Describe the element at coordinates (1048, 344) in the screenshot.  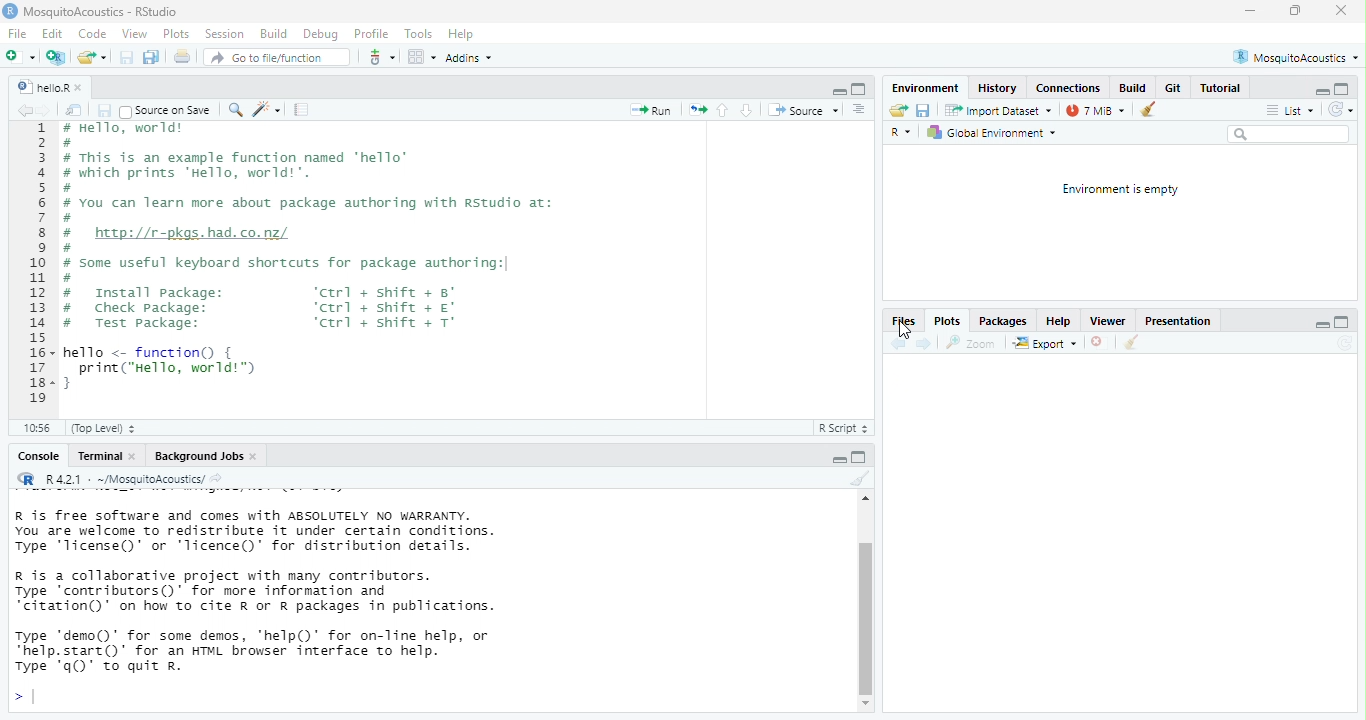
I see `export` at that location.